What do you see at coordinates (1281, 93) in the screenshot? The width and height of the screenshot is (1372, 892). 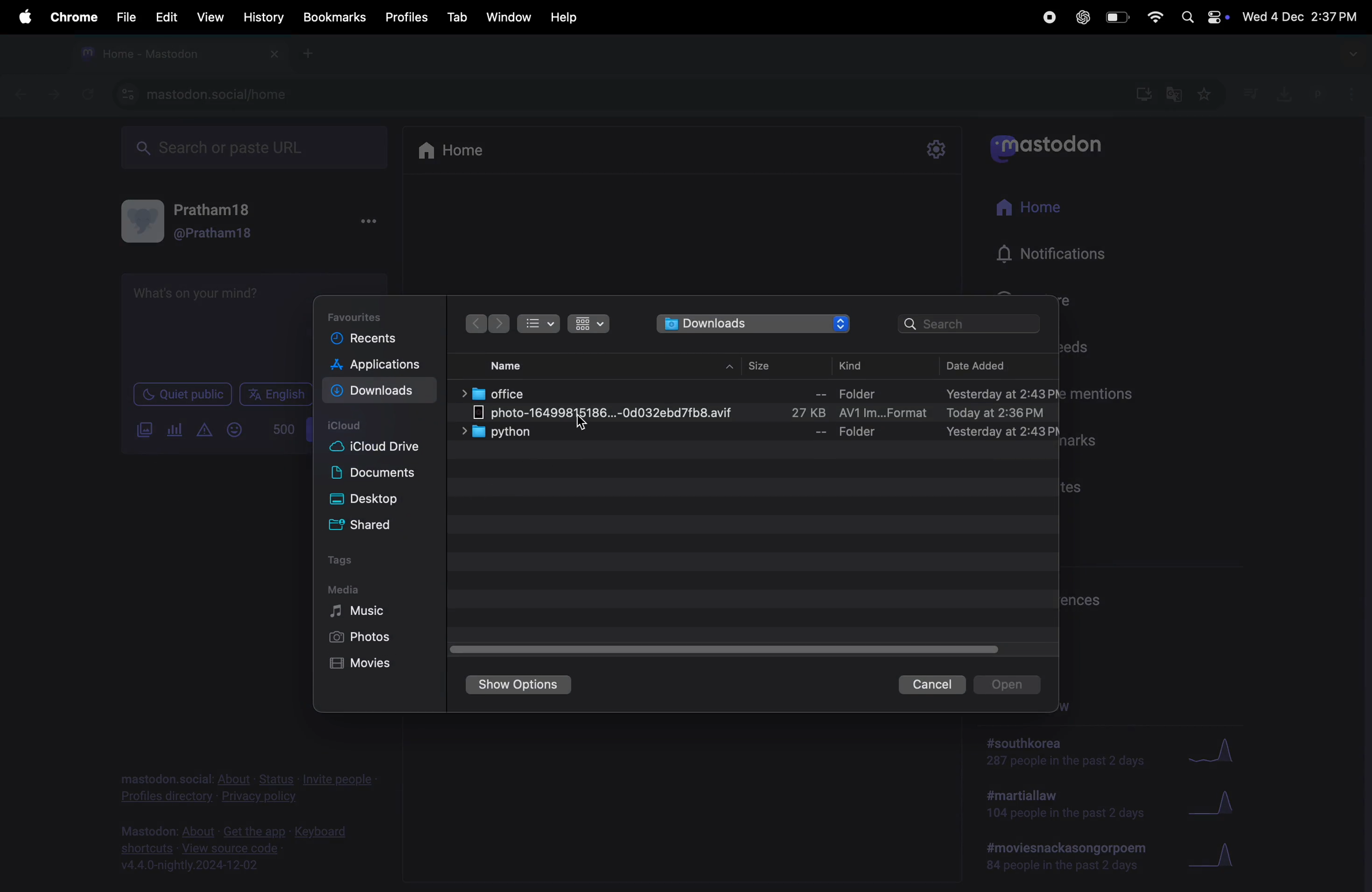 I see `downloads` at bounding box center [1281, 93].